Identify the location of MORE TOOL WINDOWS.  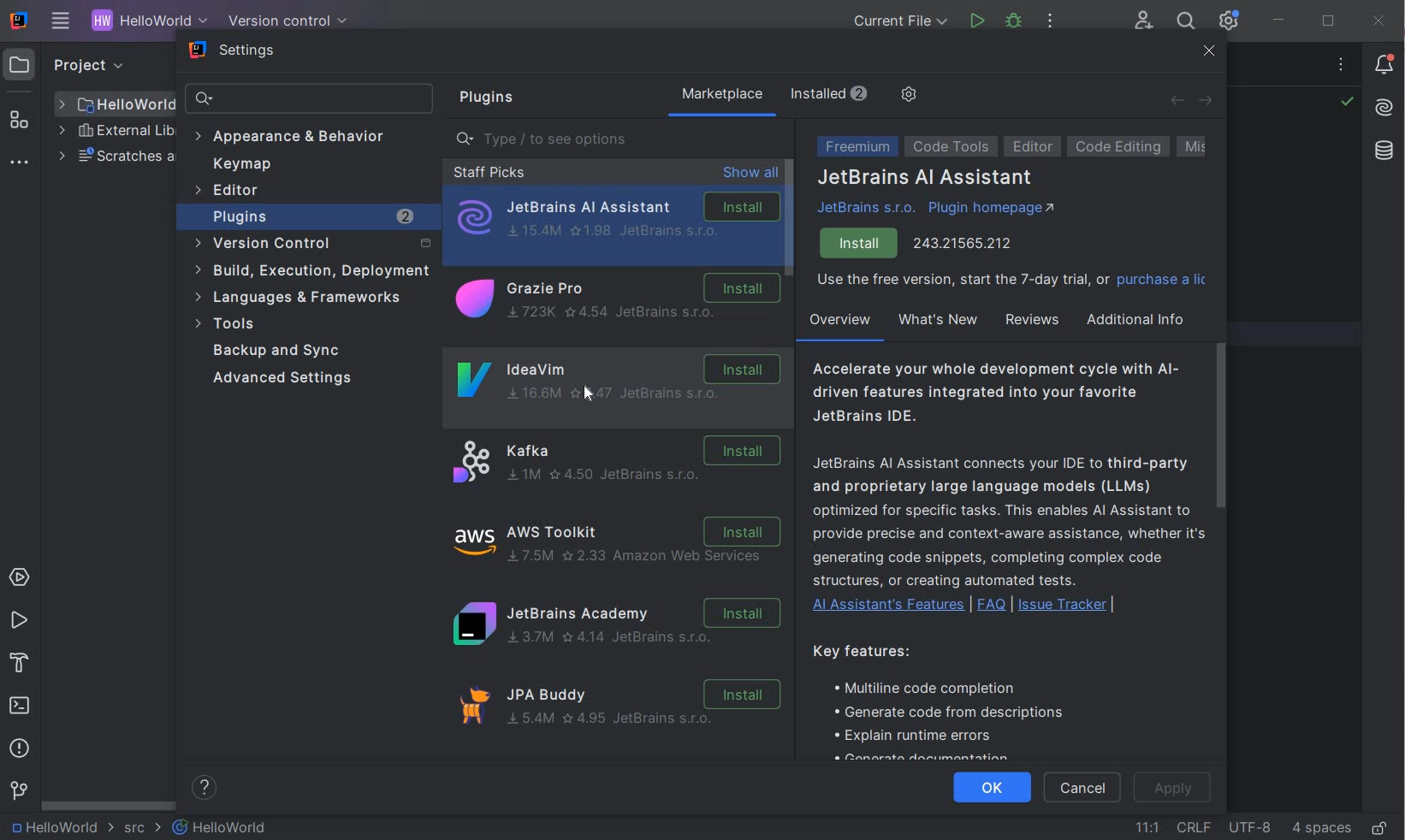
(19, 163).